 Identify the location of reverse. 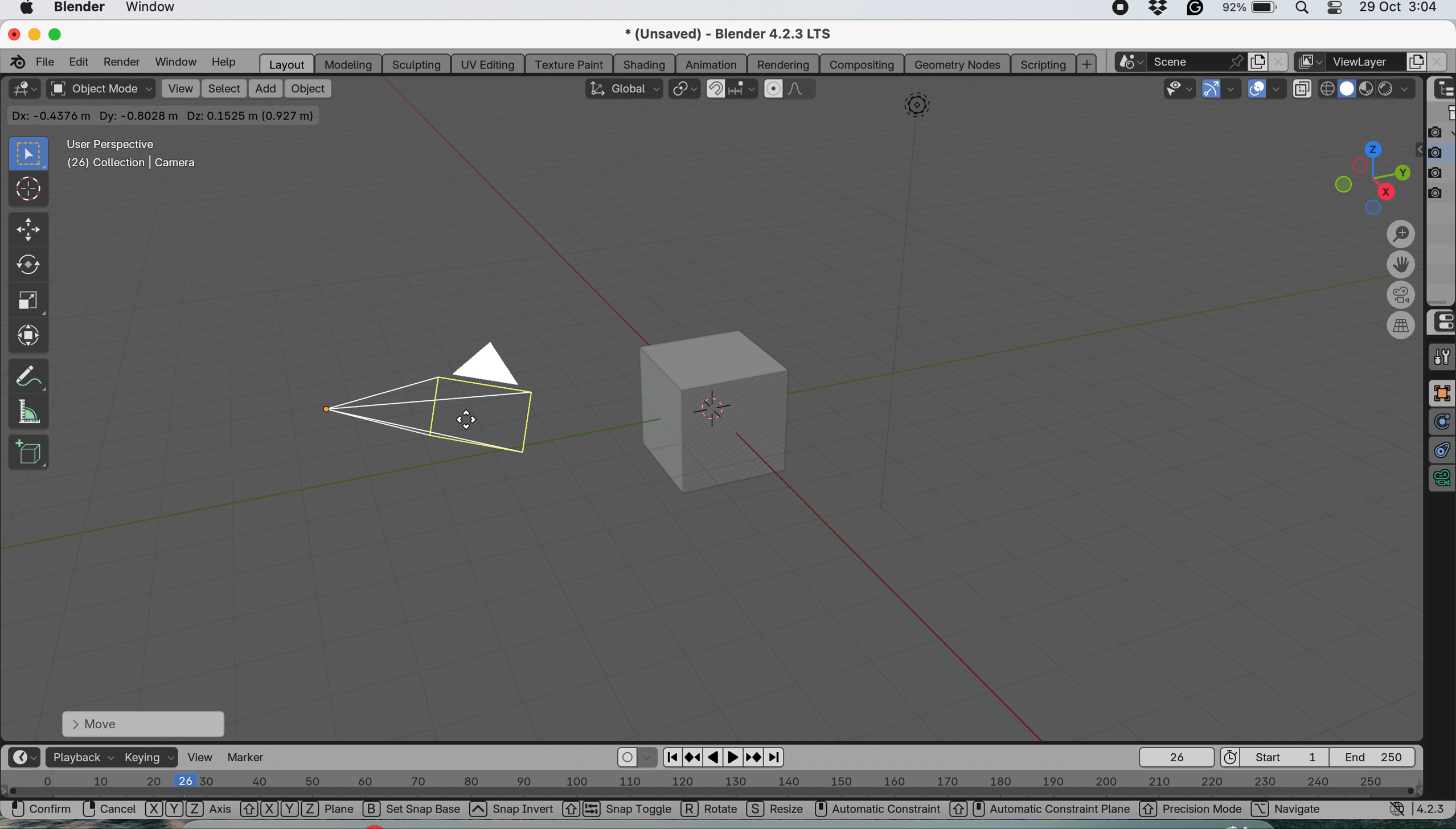
(693, 756).